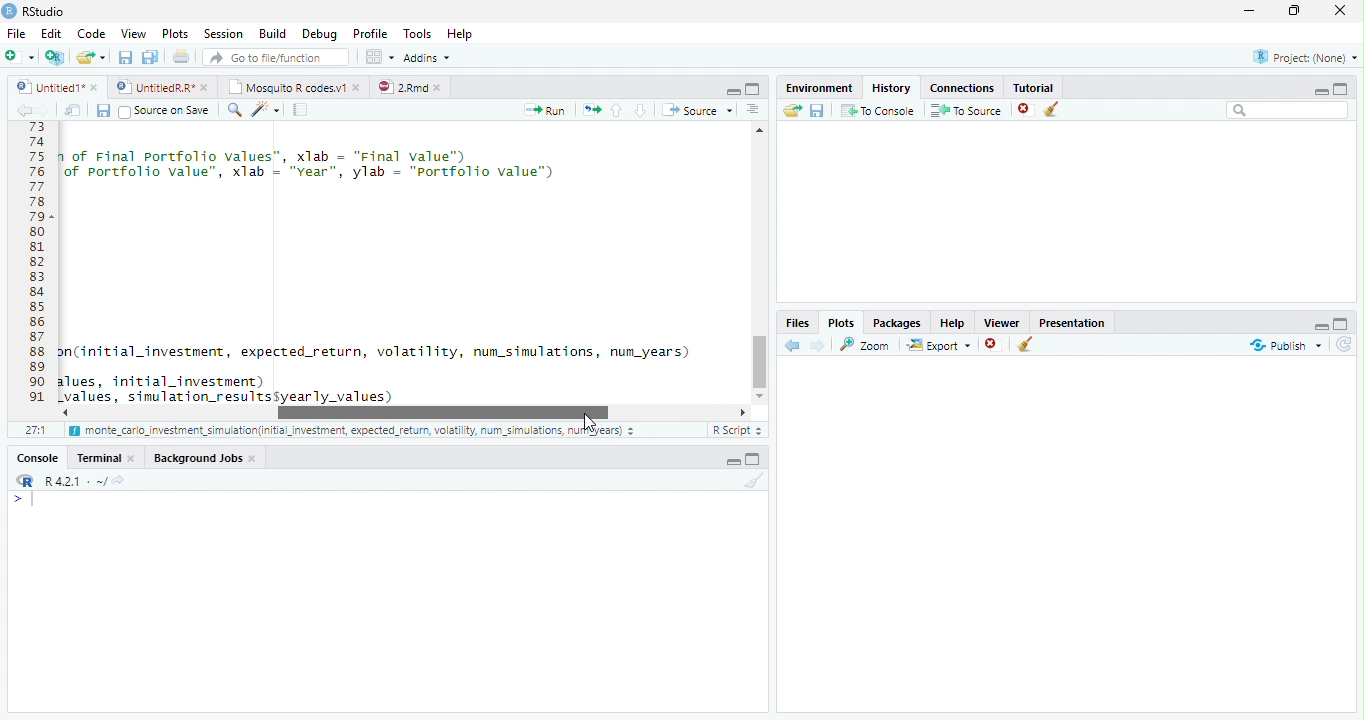  What do you see at coordinates (743, 411) in the screenshot?
I see `Scroll Right` at bounding box center [743, 411].